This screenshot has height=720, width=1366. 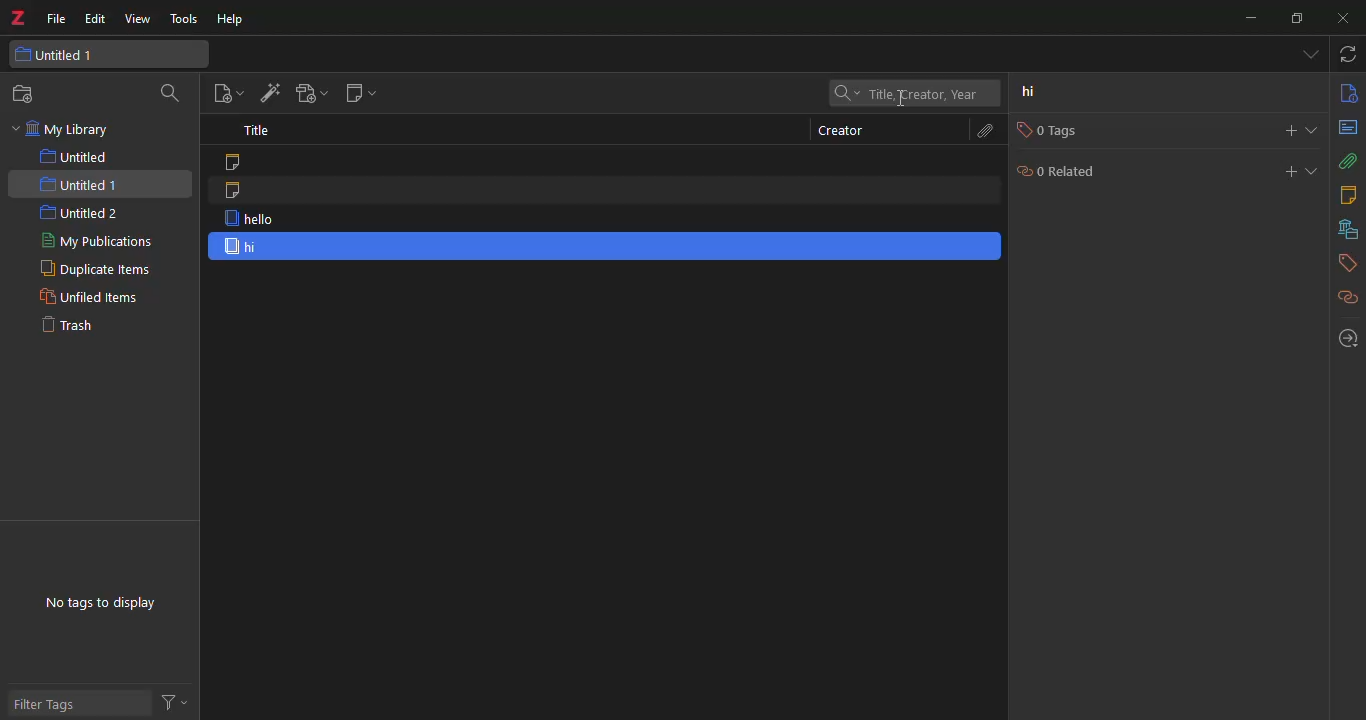 What do you see at coordinates (235, 162) in the screenshot?
I see `note` at bounding box center [235, 162].